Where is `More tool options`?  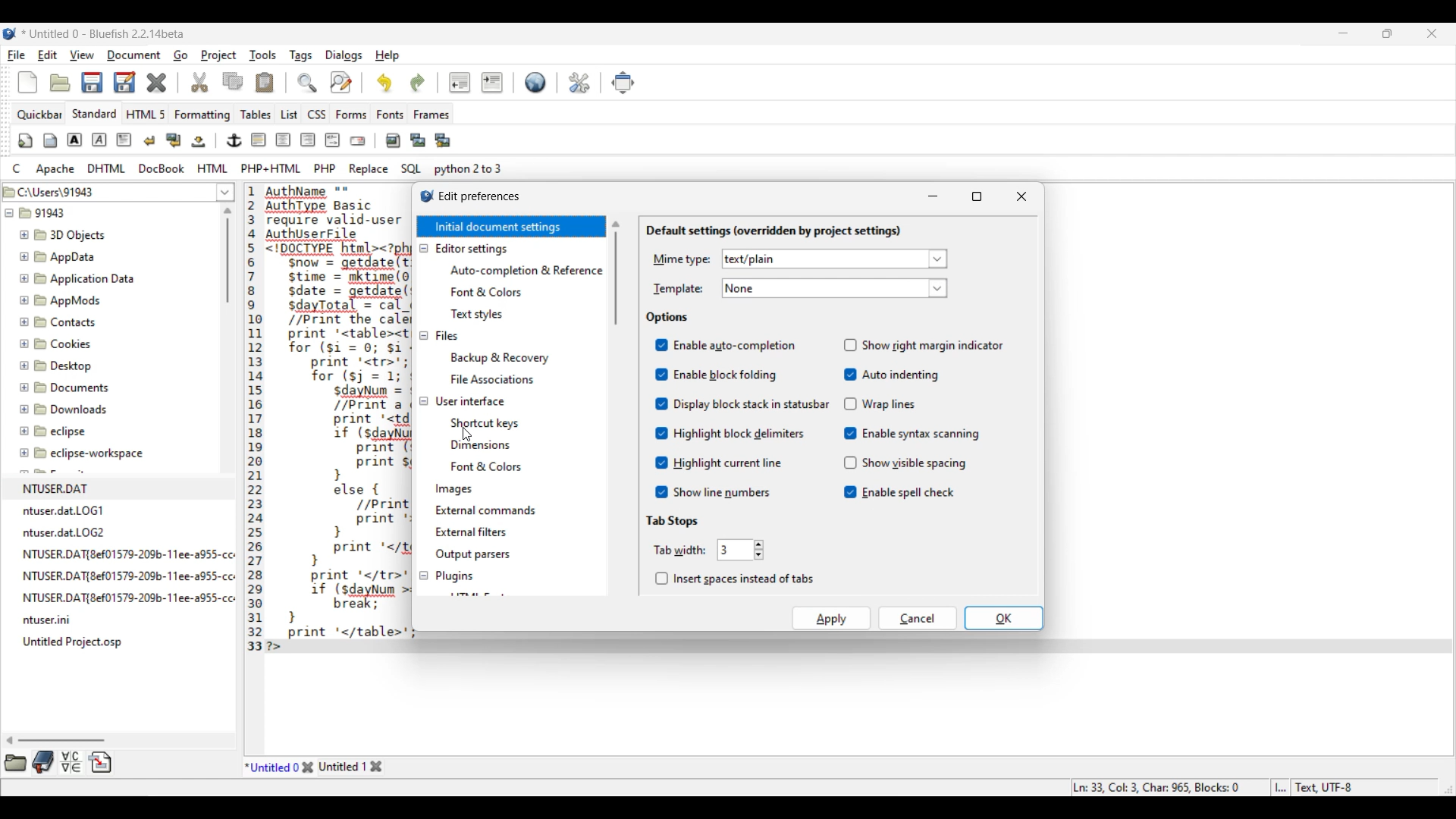
More tool options is located at coordinates (58, 762).